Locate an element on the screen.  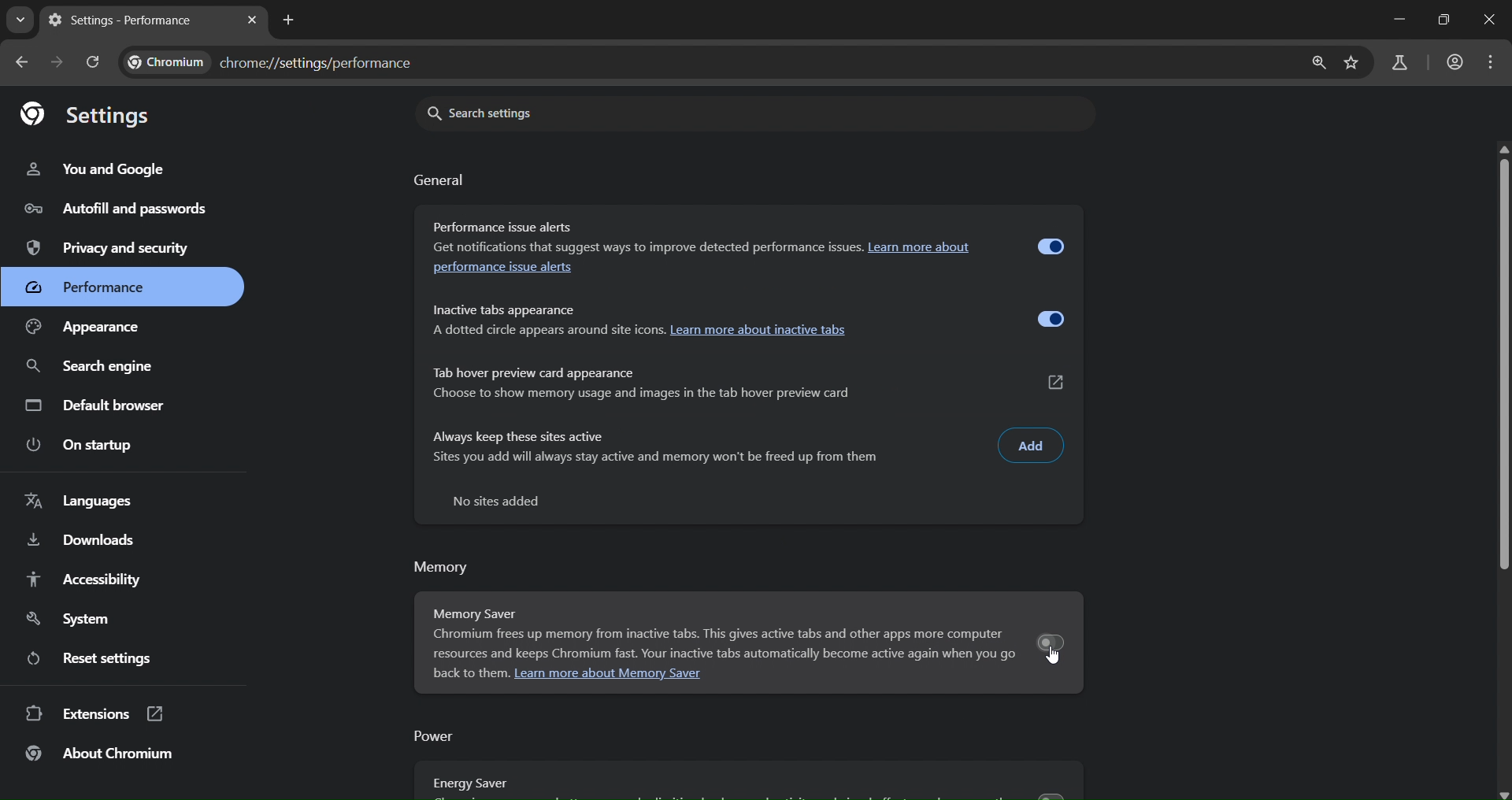
cursor is located at coordinates (1054, 661).